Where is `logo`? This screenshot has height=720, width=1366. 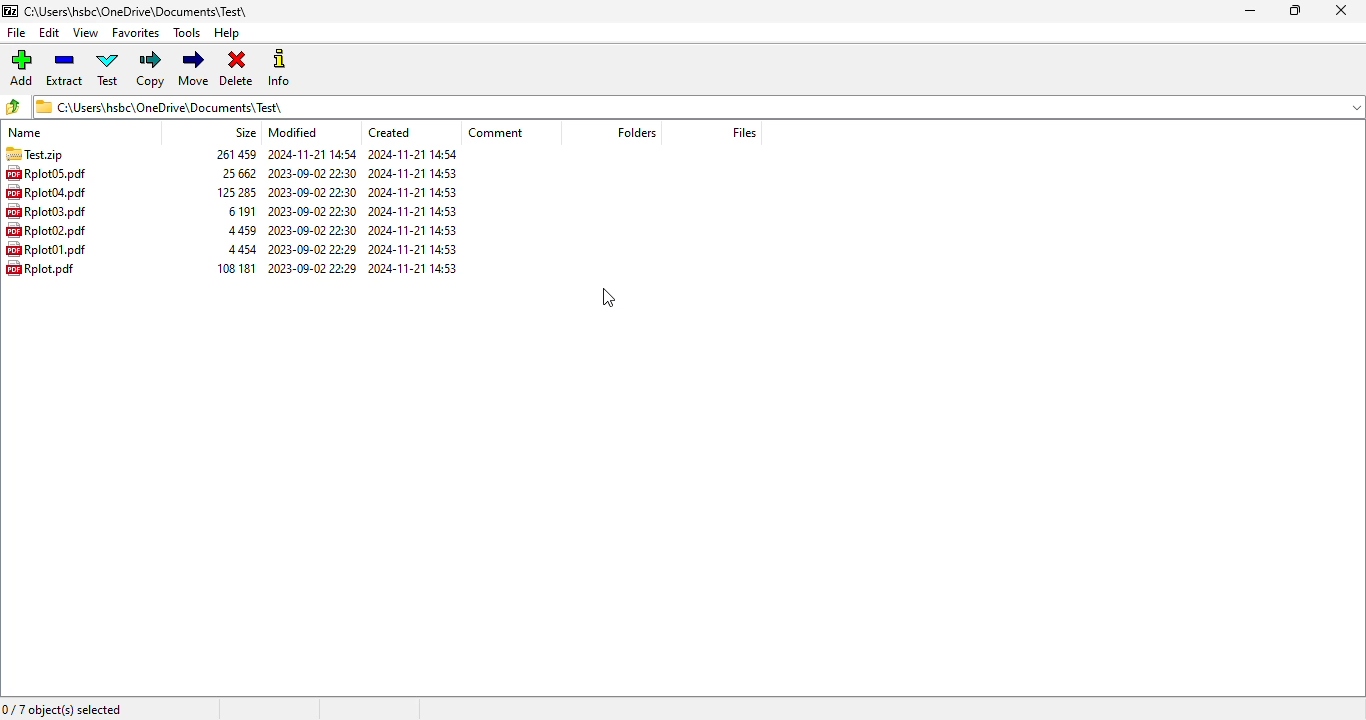
logo is located at coordinates (10, 11).